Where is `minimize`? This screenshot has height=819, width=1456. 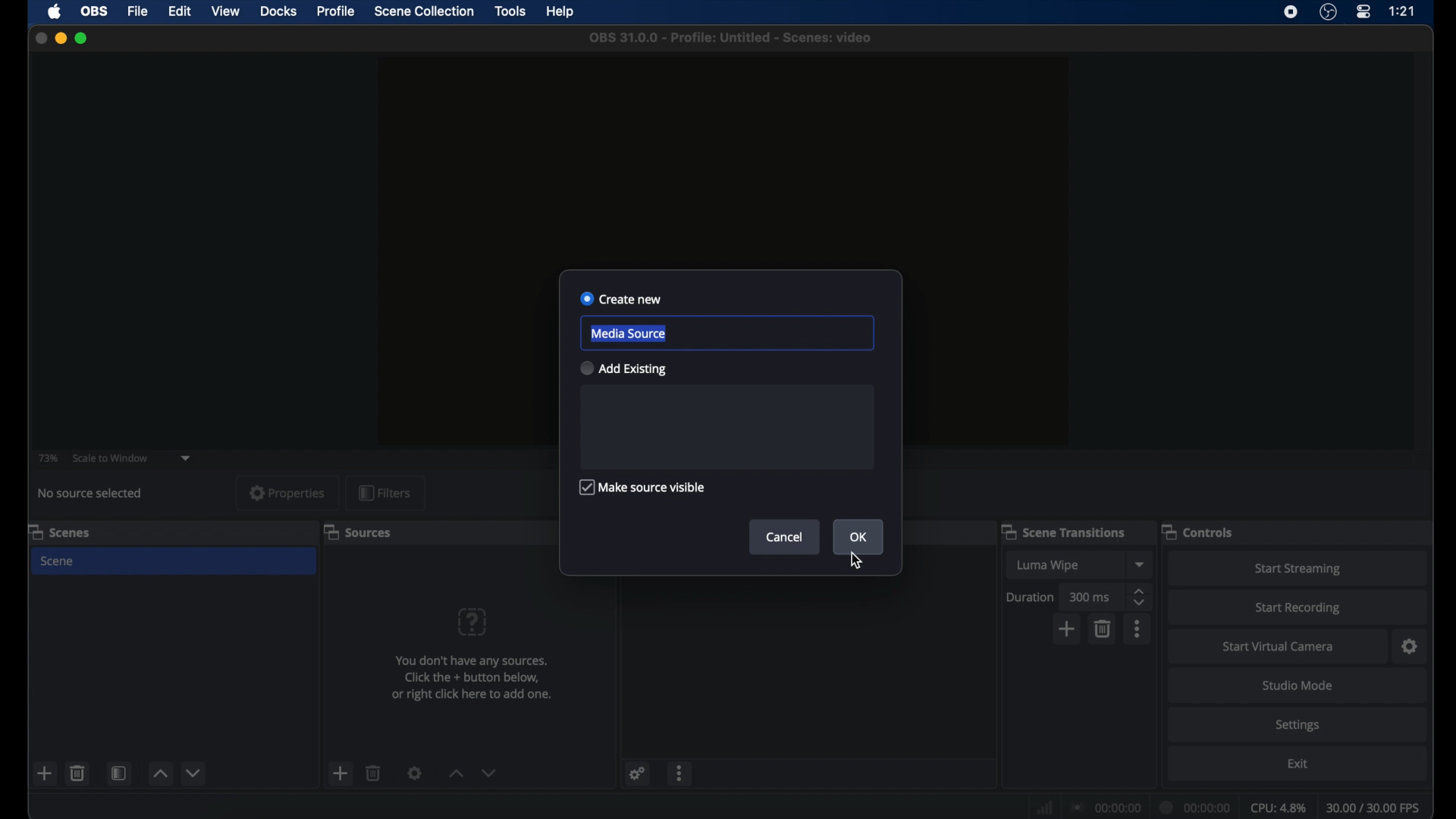 minimize is located at coordinates (60, 38).